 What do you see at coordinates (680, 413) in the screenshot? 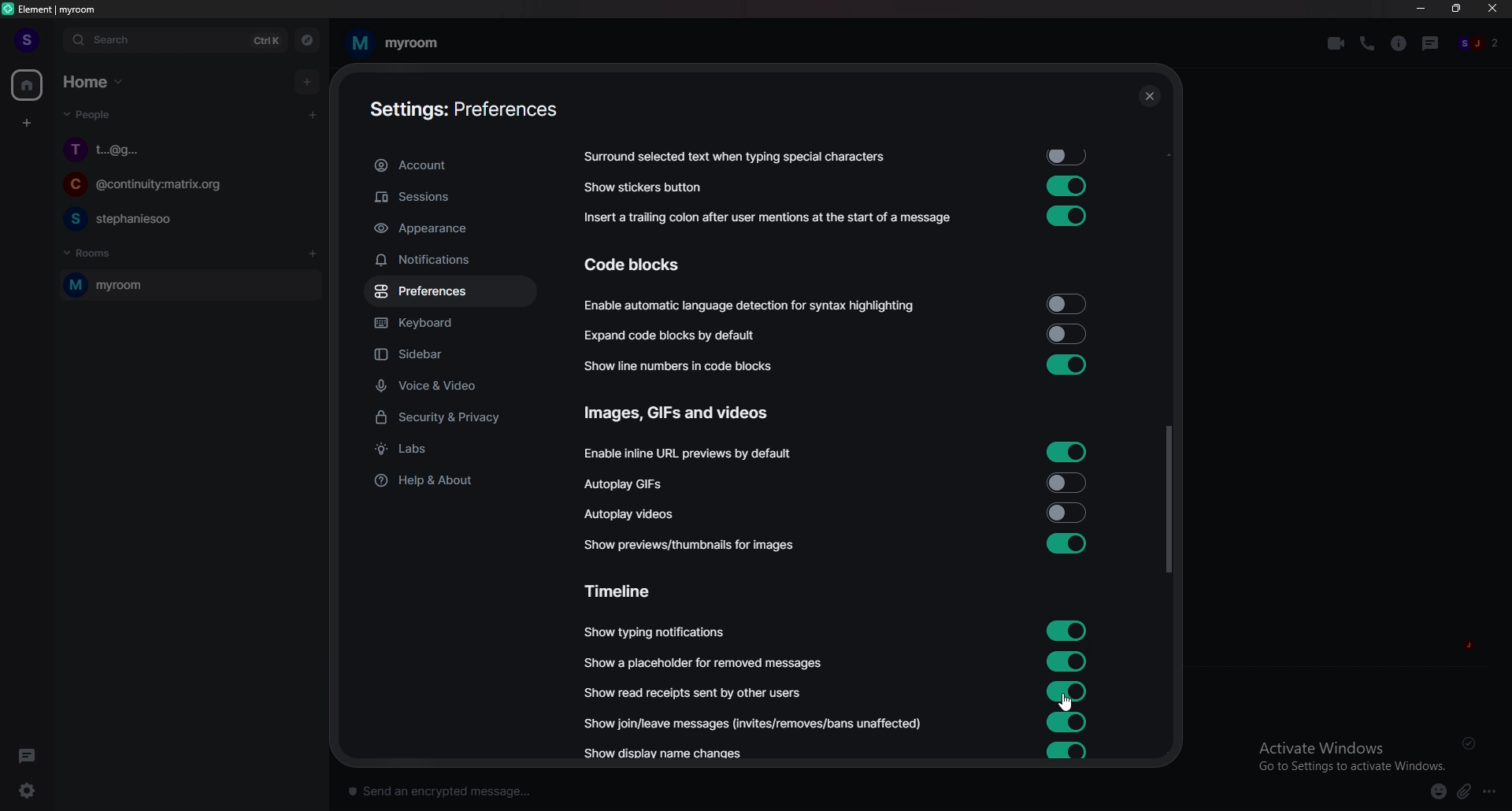
I see `images gif and videos` at bounding box center [680, 413].